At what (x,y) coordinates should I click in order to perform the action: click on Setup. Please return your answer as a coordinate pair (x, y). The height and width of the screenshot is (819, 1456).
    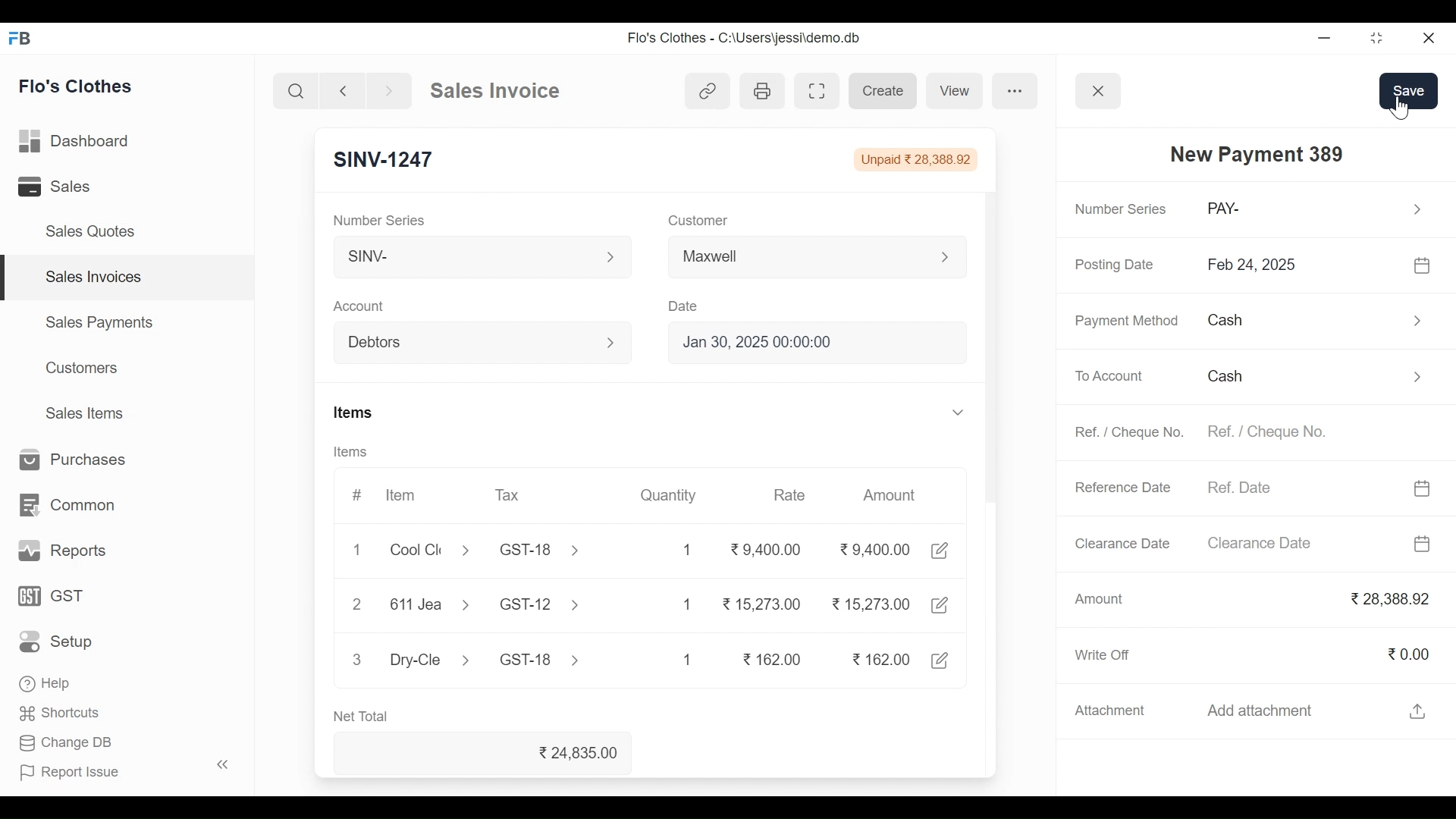
    Looking at the image, I should click on (61, 641).